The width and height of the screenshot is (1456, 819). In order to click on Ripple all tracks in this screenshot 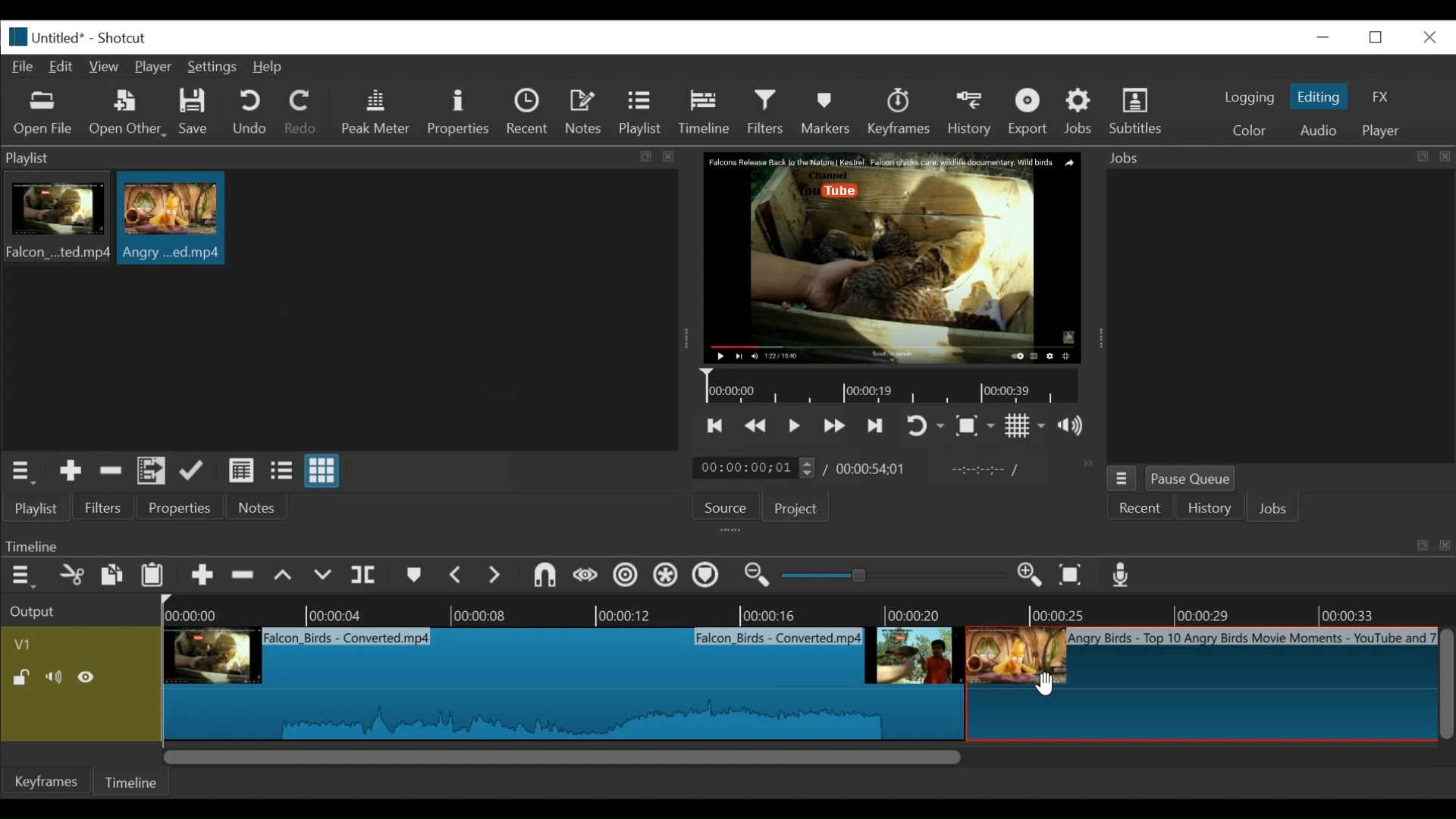, I will do `click(665, 577)`.